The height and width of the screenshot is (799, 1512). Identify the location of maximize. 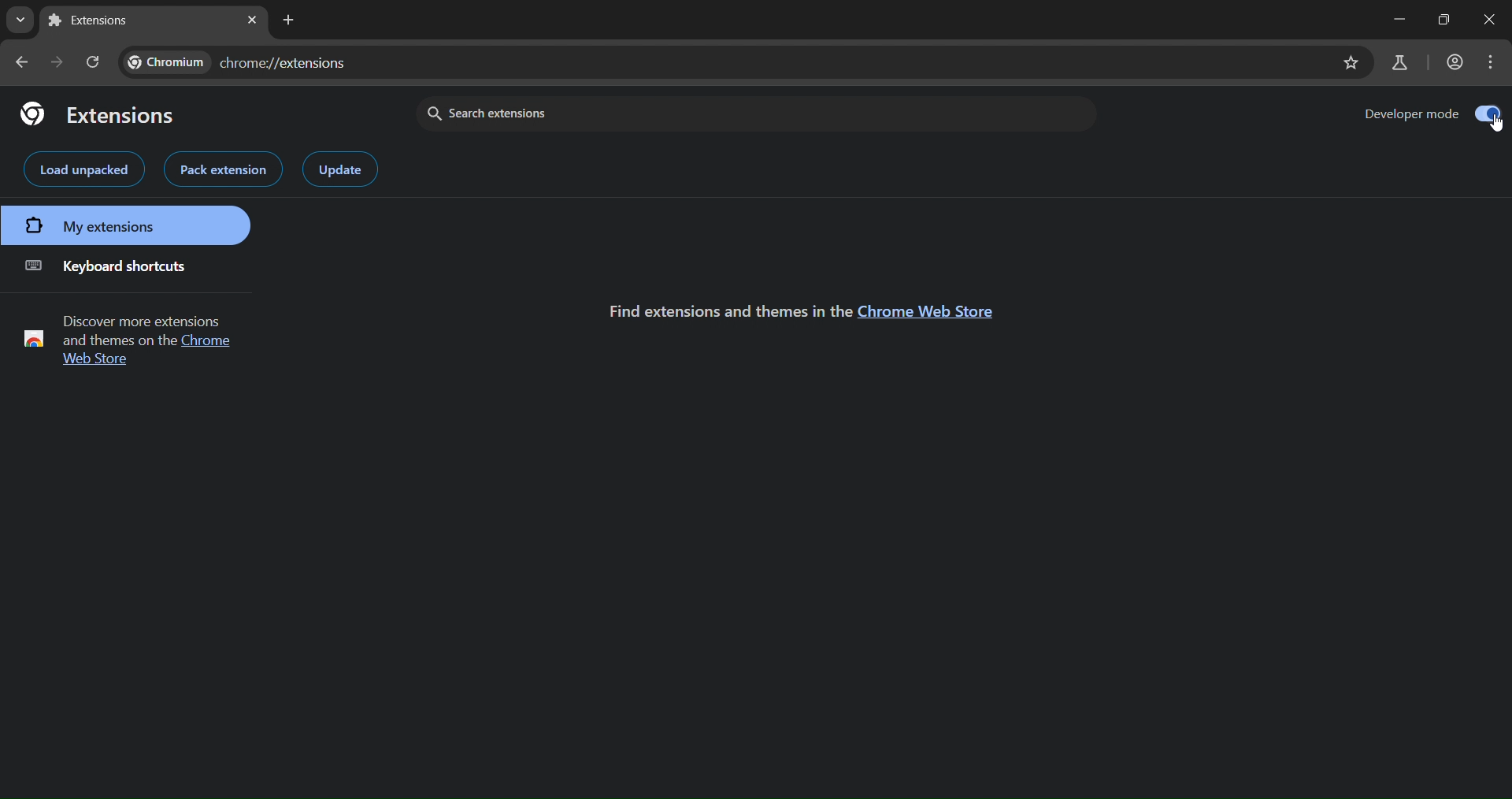
(1439, 19).